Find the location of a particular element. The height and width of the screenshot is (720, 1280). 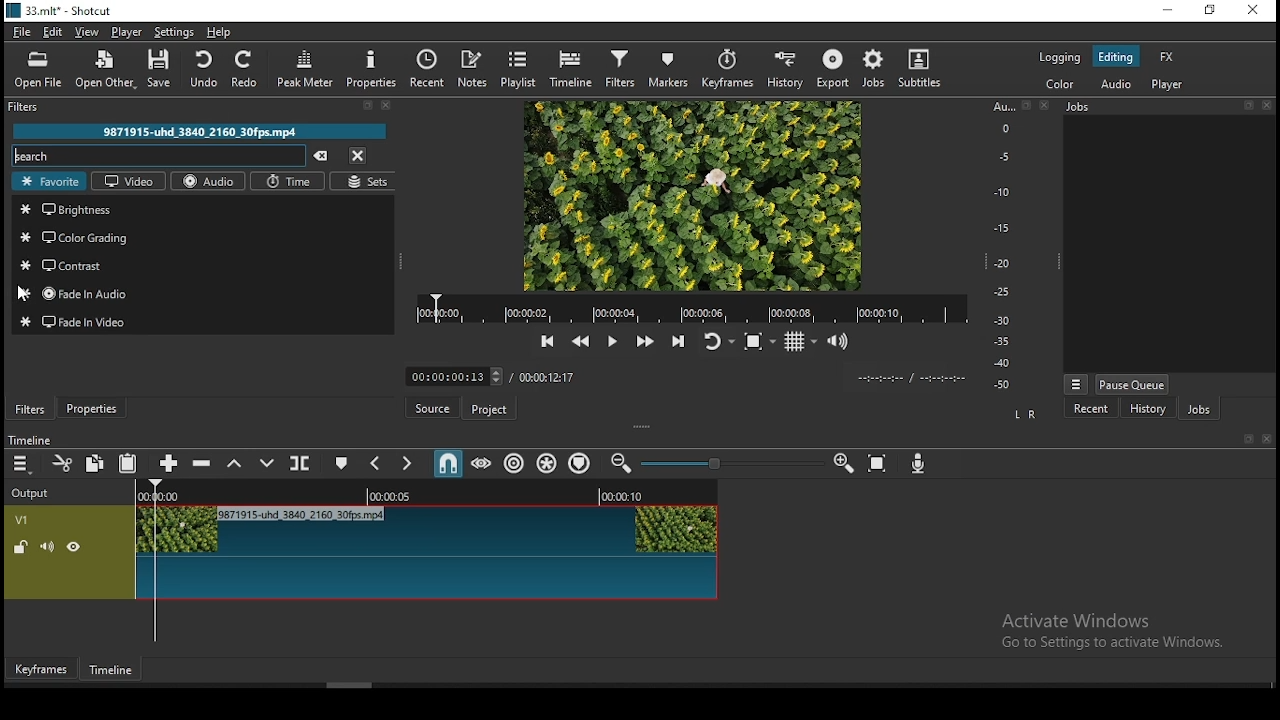

sets is located at coordinates (363, 180).